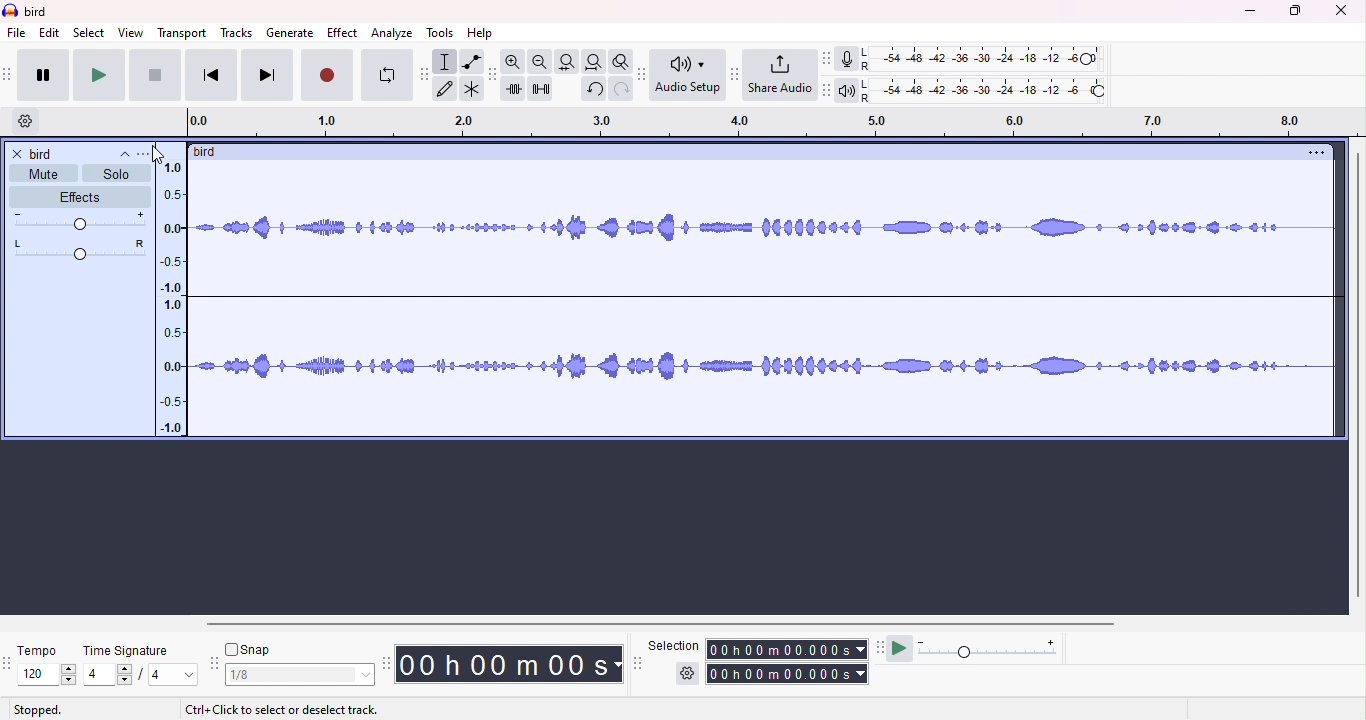 The image size is (1366, 720). I want to click on play at speed tool bar, so click(883, 649).